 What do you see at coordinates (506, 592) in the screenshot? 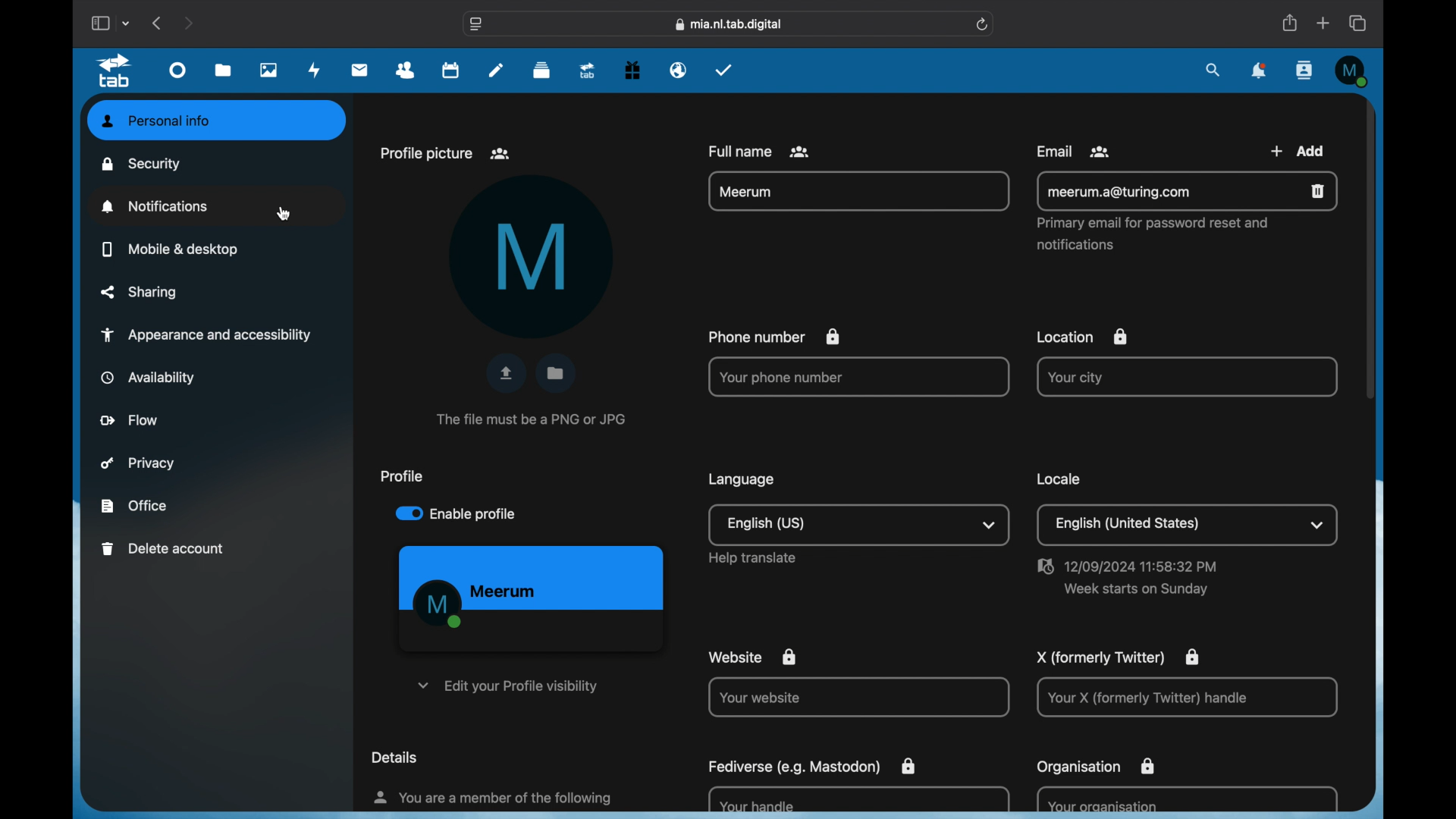
I see `name` at bounding box center [506, 592].